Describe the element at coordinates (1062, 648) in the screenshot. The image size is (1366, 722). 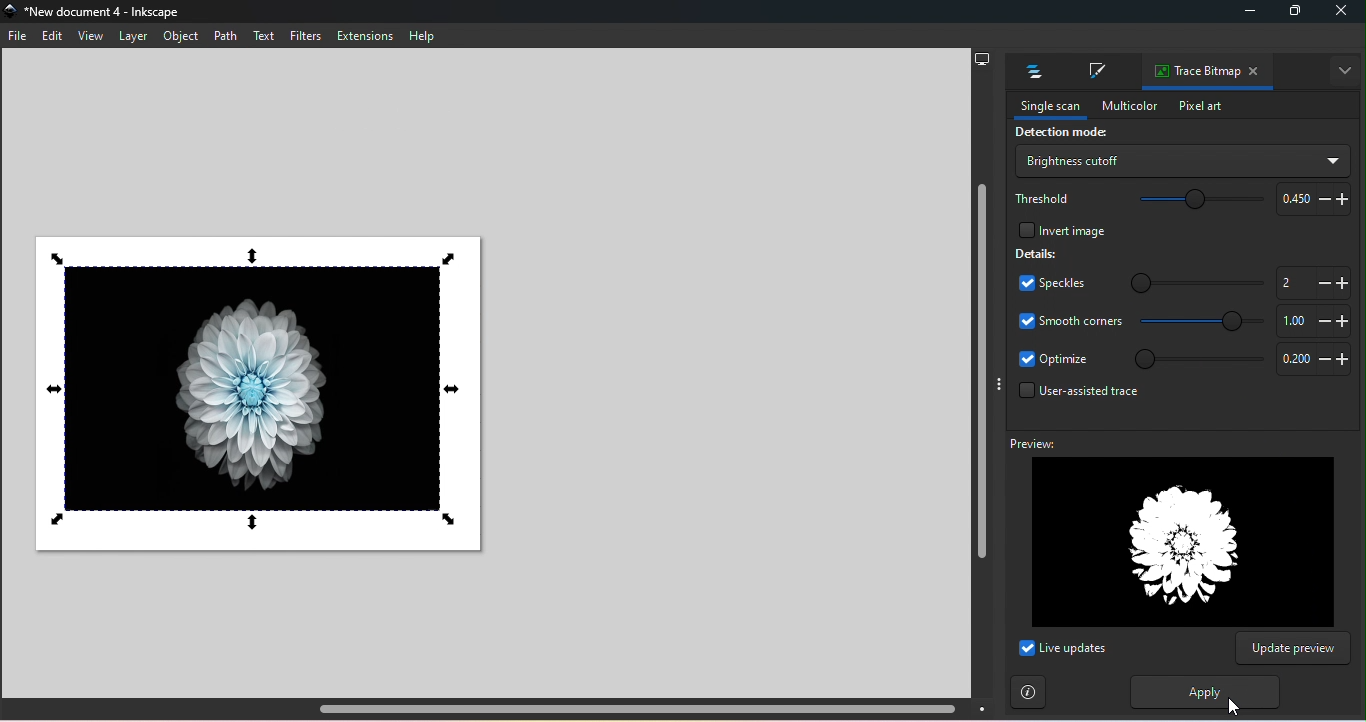
I see `Live updates` at that location.